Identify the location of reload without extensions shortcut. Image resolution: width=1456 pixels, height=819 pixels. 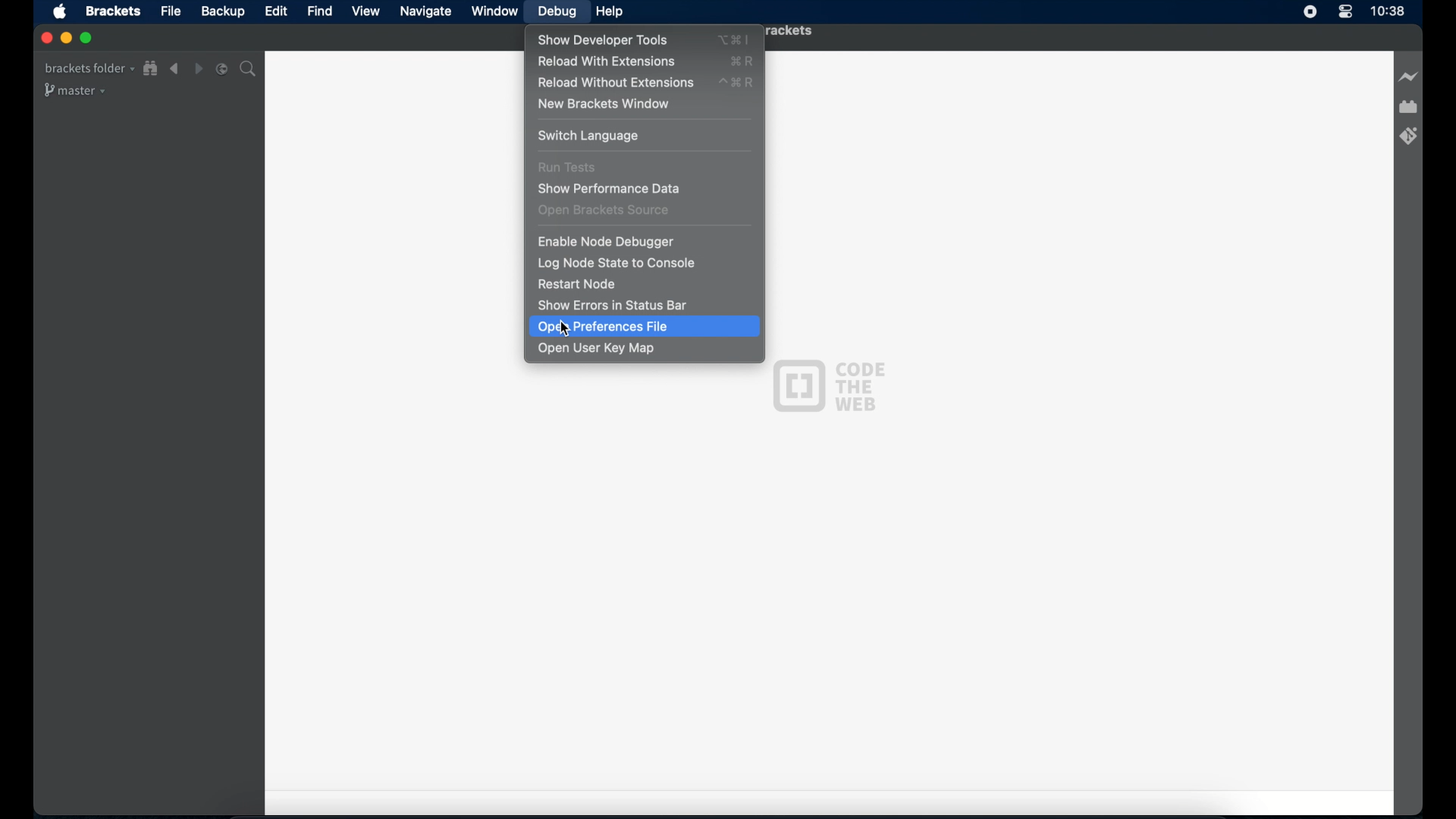
(738, 82).